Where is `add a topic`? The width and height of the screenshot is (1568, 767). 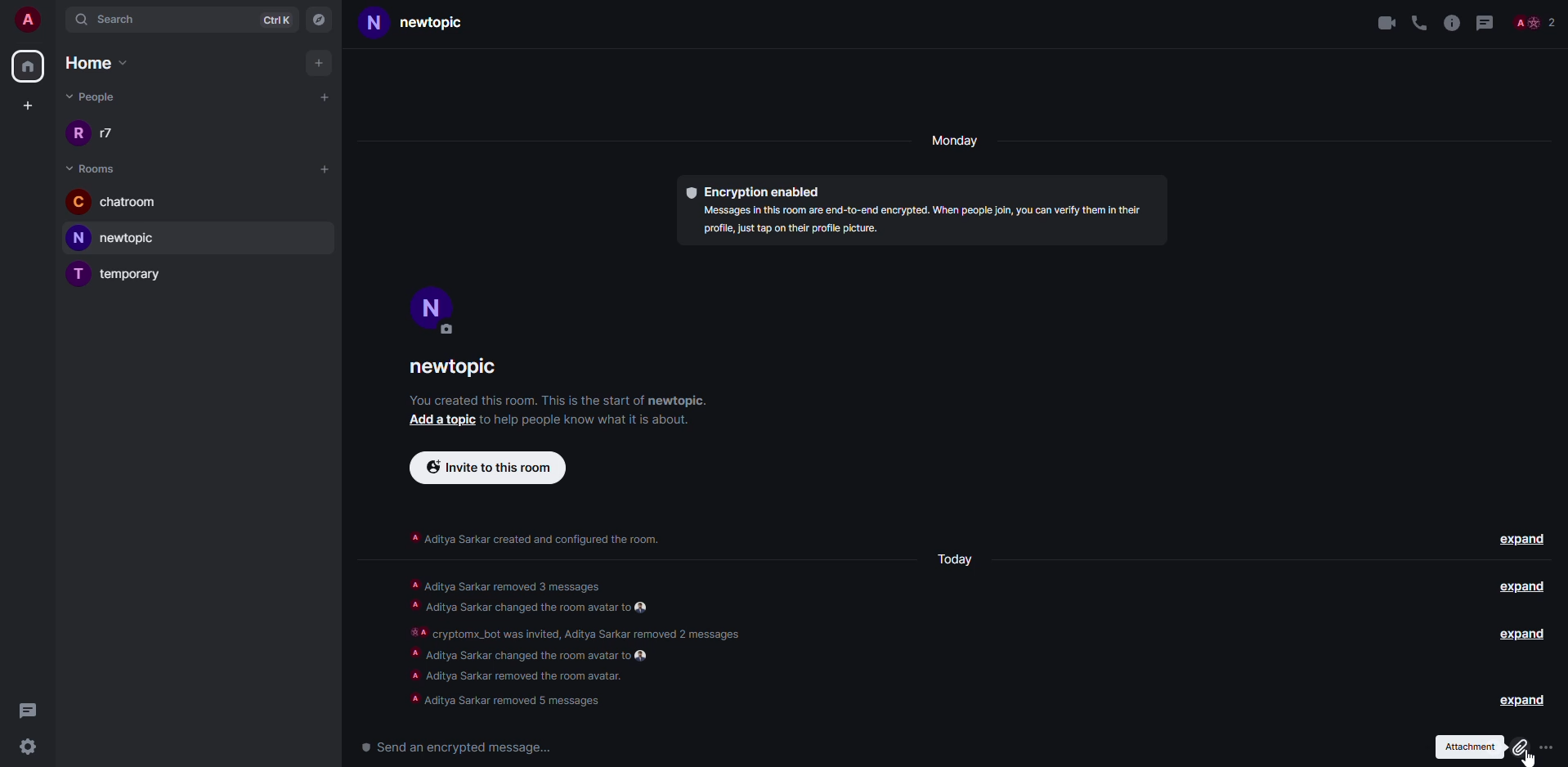
add a topic is located at coordinates (439, 420).